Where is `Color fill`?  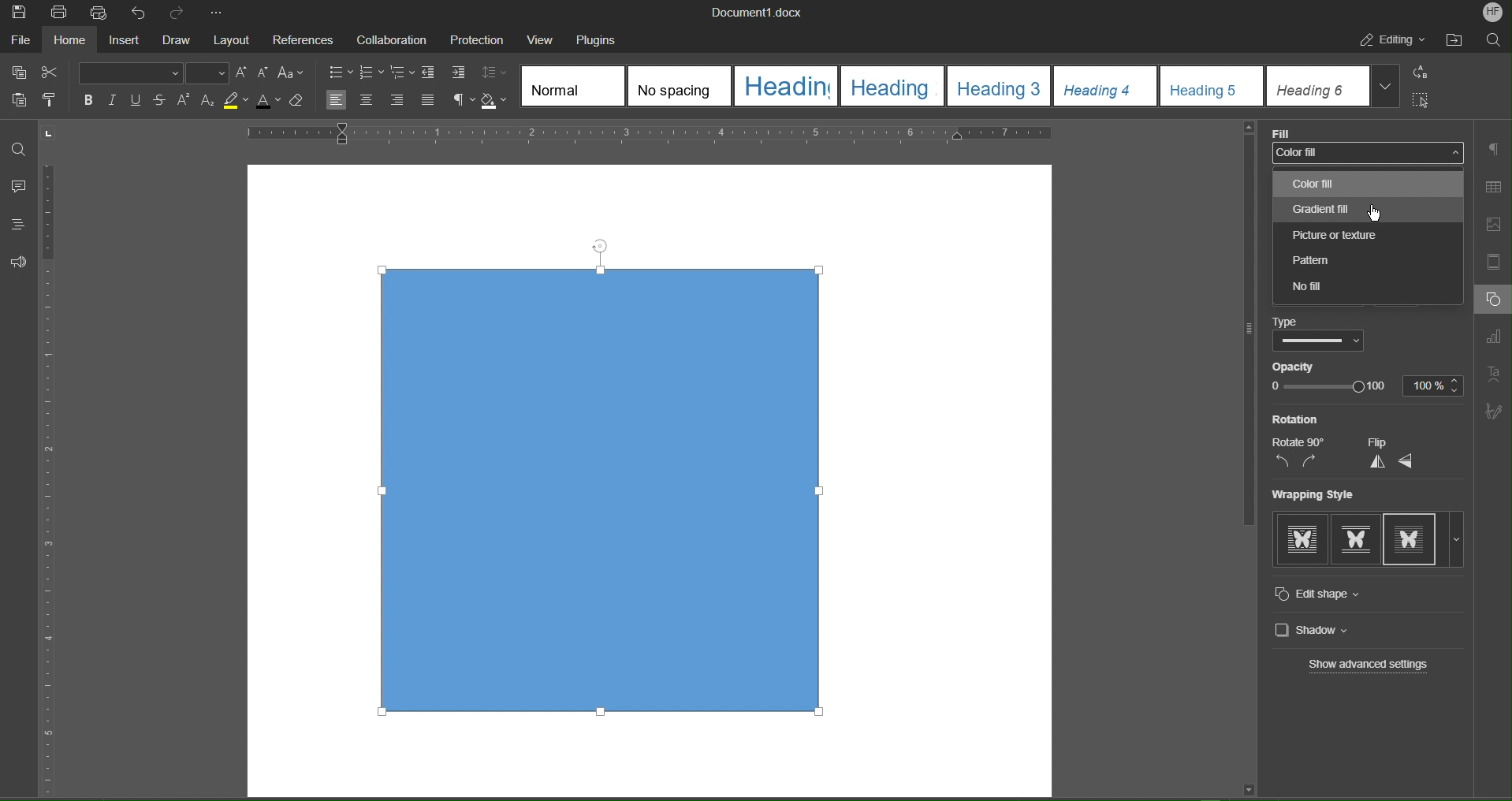
Color fill is located at coordinates (1368, 151).